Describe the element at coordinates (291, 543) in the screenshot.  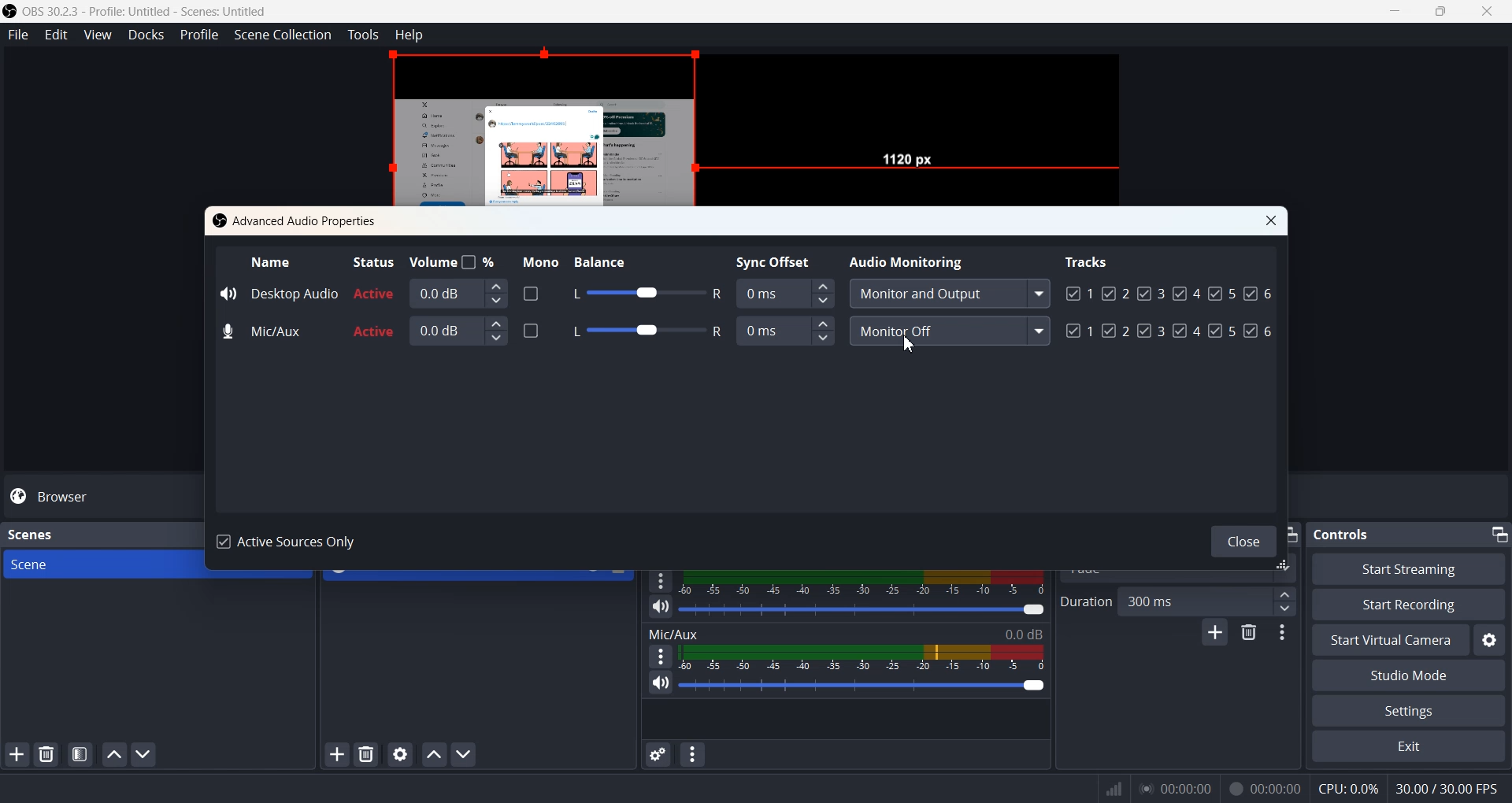
I see `Active Sources Only` at that location.